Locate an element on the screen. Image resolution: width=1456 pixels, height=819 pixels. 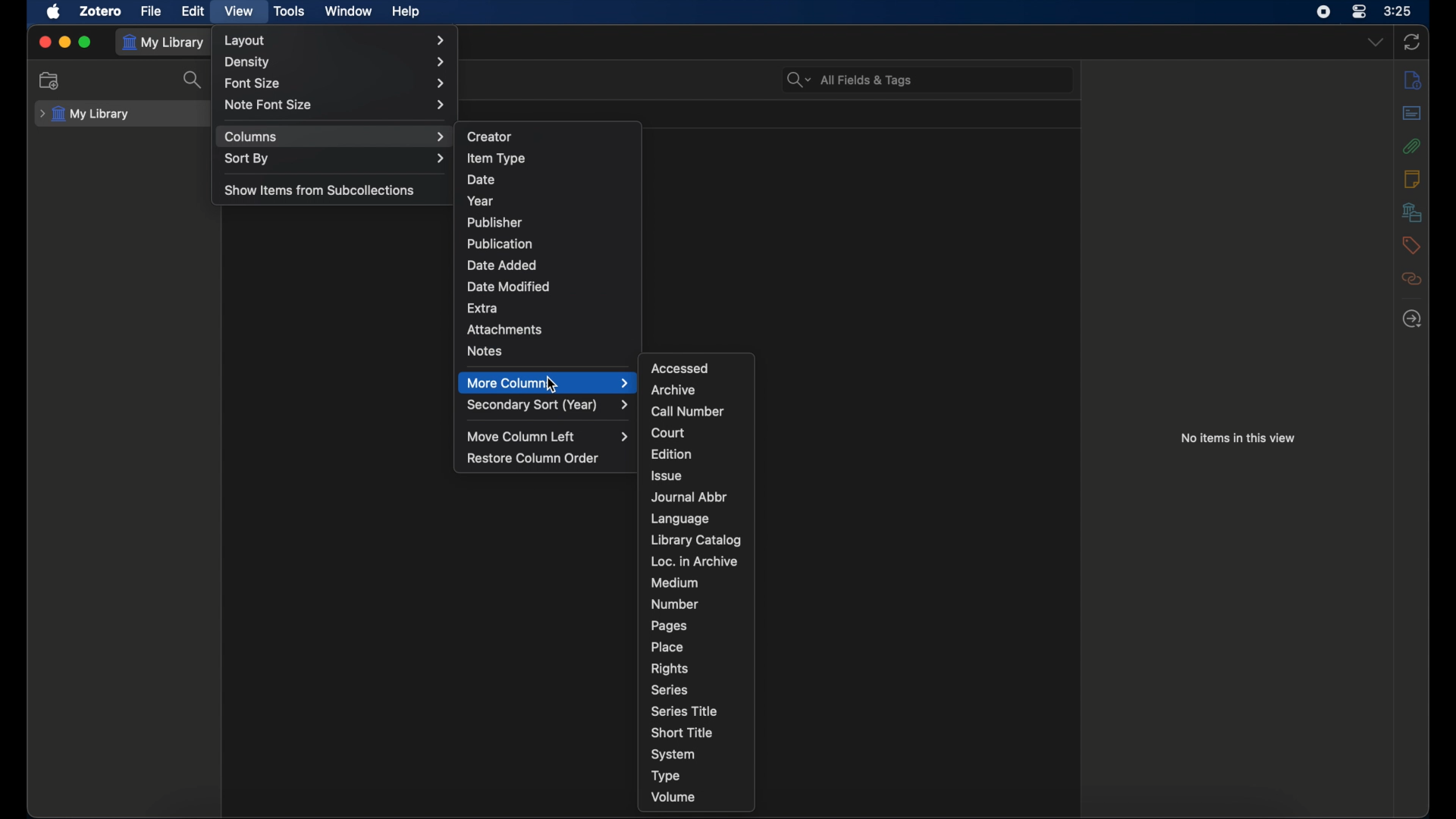
call number is located at coordinates (688, 412).